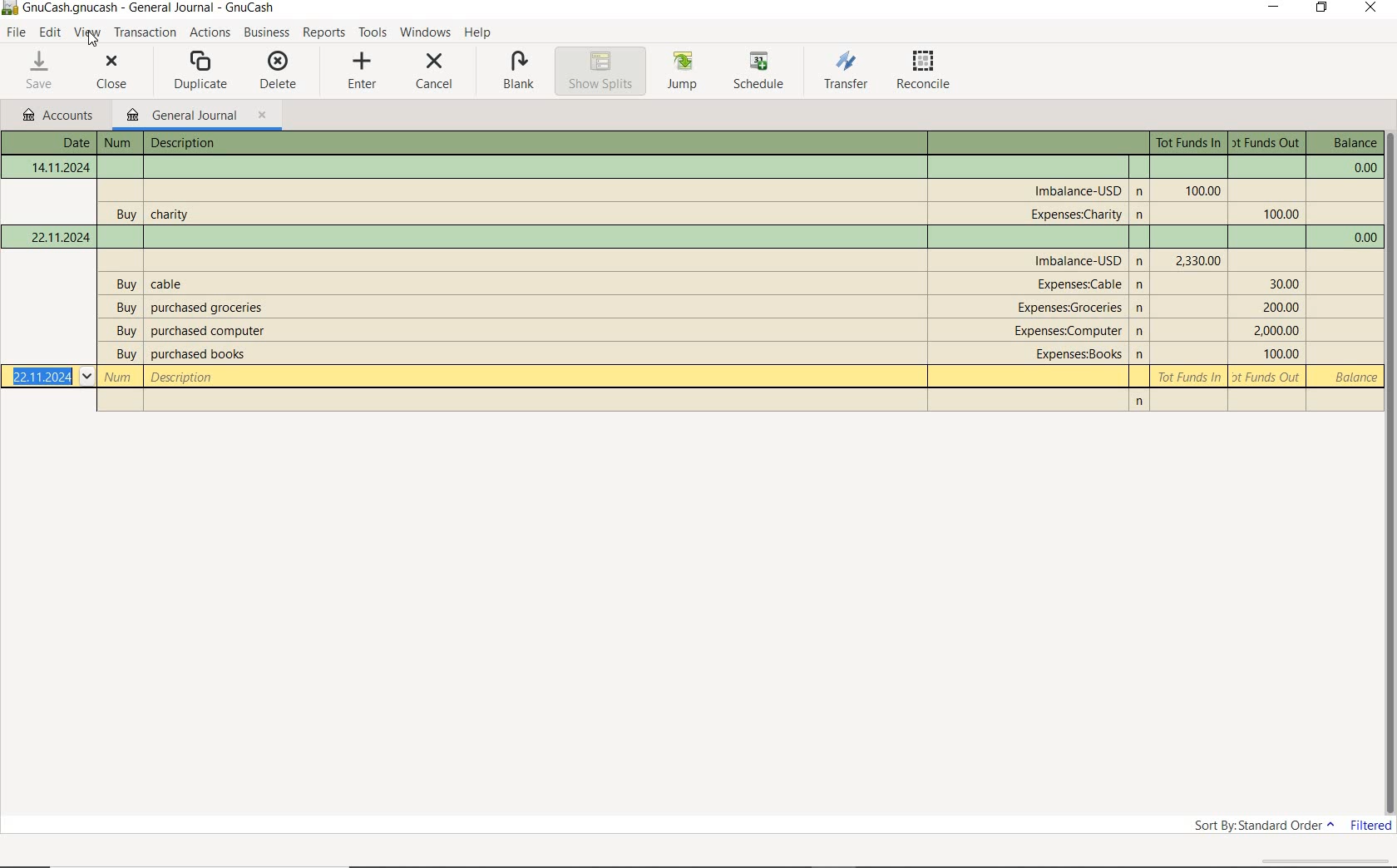 Image resolution: width=1397 pixels, height=868 pixels. What do you see at coordinates (124, 215) in the screenshot?
I see `buy` at bounding box center [124, 215].